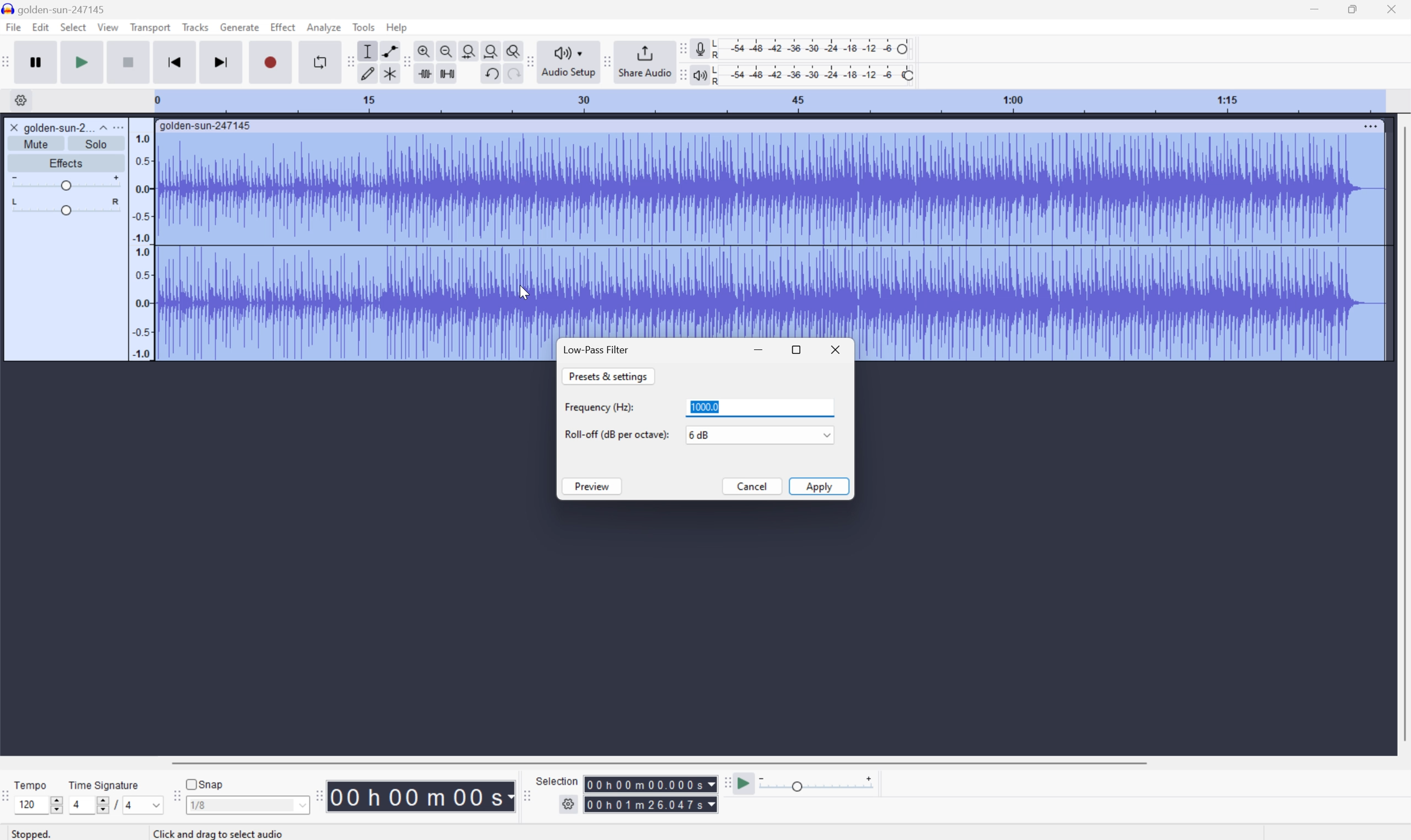 Image resolution: width=1411 pixels, height=840 pixels. What do you see at coordinates (510, 75) in the screenshot?
I see `` at bounding box center [510, 75].